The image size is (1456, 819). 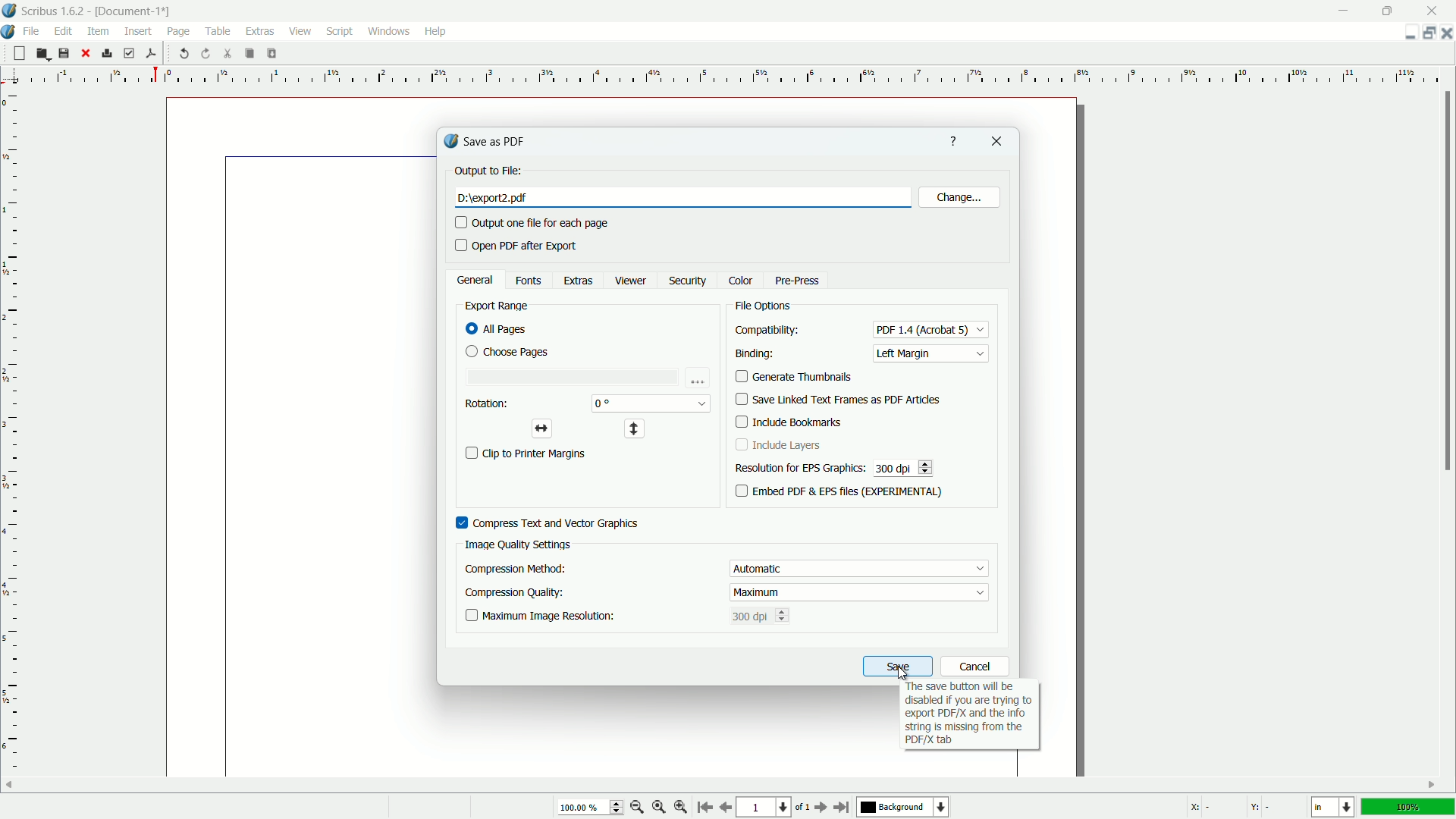 I want to click on copy, so click(x=249, y=53).